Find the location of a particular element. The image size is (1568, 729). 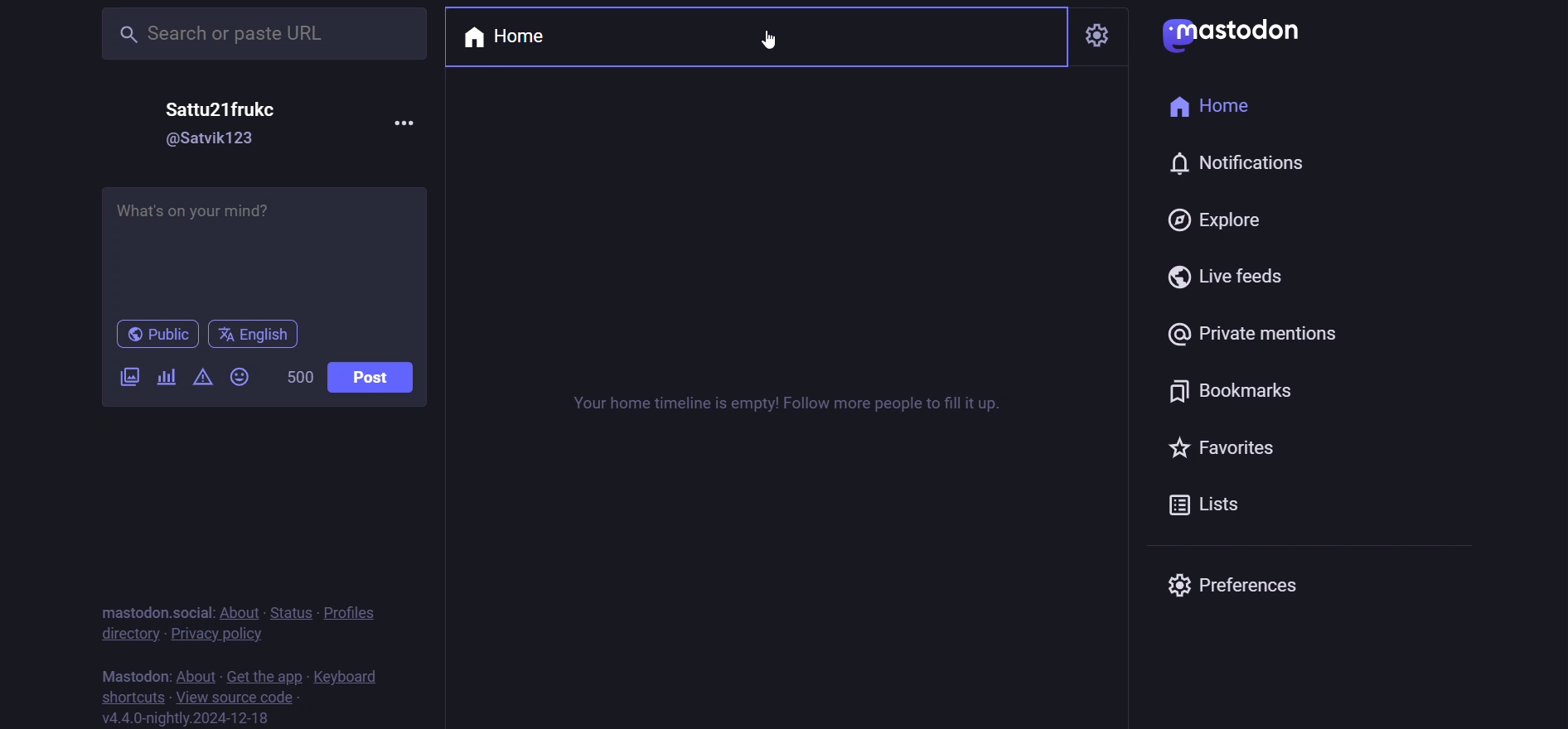

emoji is located at coordinates (239, 376).